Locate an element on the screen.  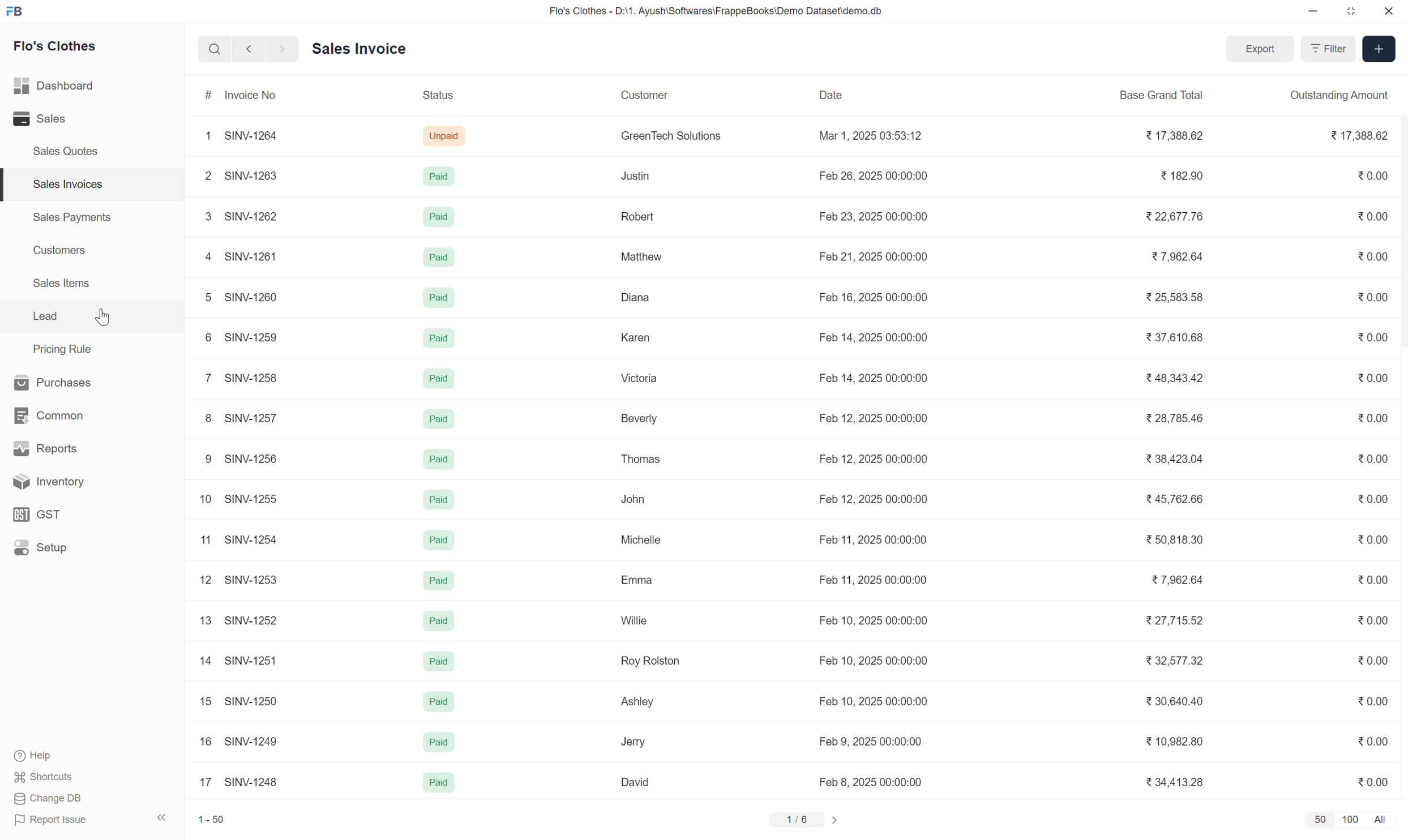
Feb 21, 2025 00:00:00 is located at coordinates (872, 257).